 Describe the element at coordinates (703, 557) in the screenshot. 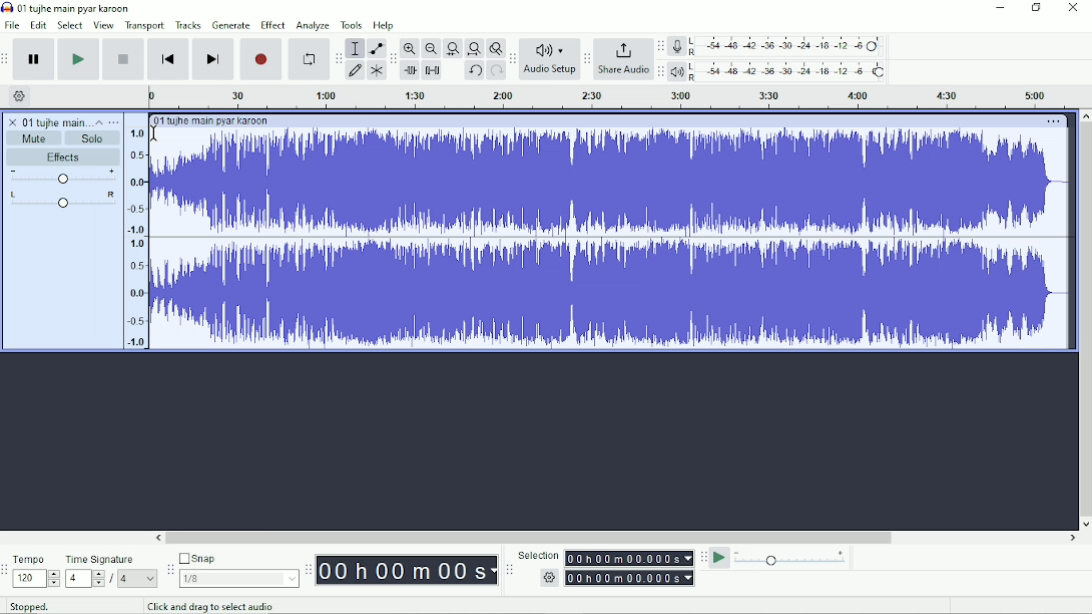

I see `Audacity play-at-speed toolbar` at that location.